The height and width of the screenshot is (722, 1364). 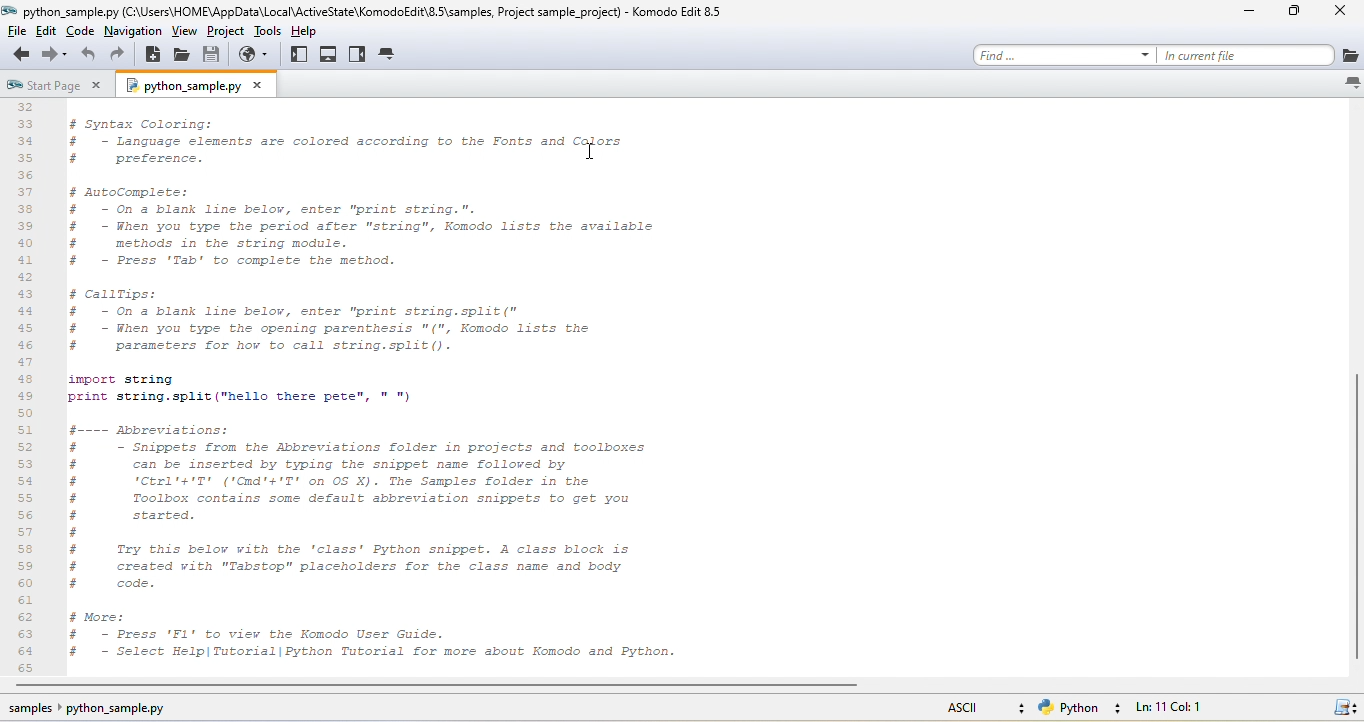 I want to click on help, so click(x=311, y=31).